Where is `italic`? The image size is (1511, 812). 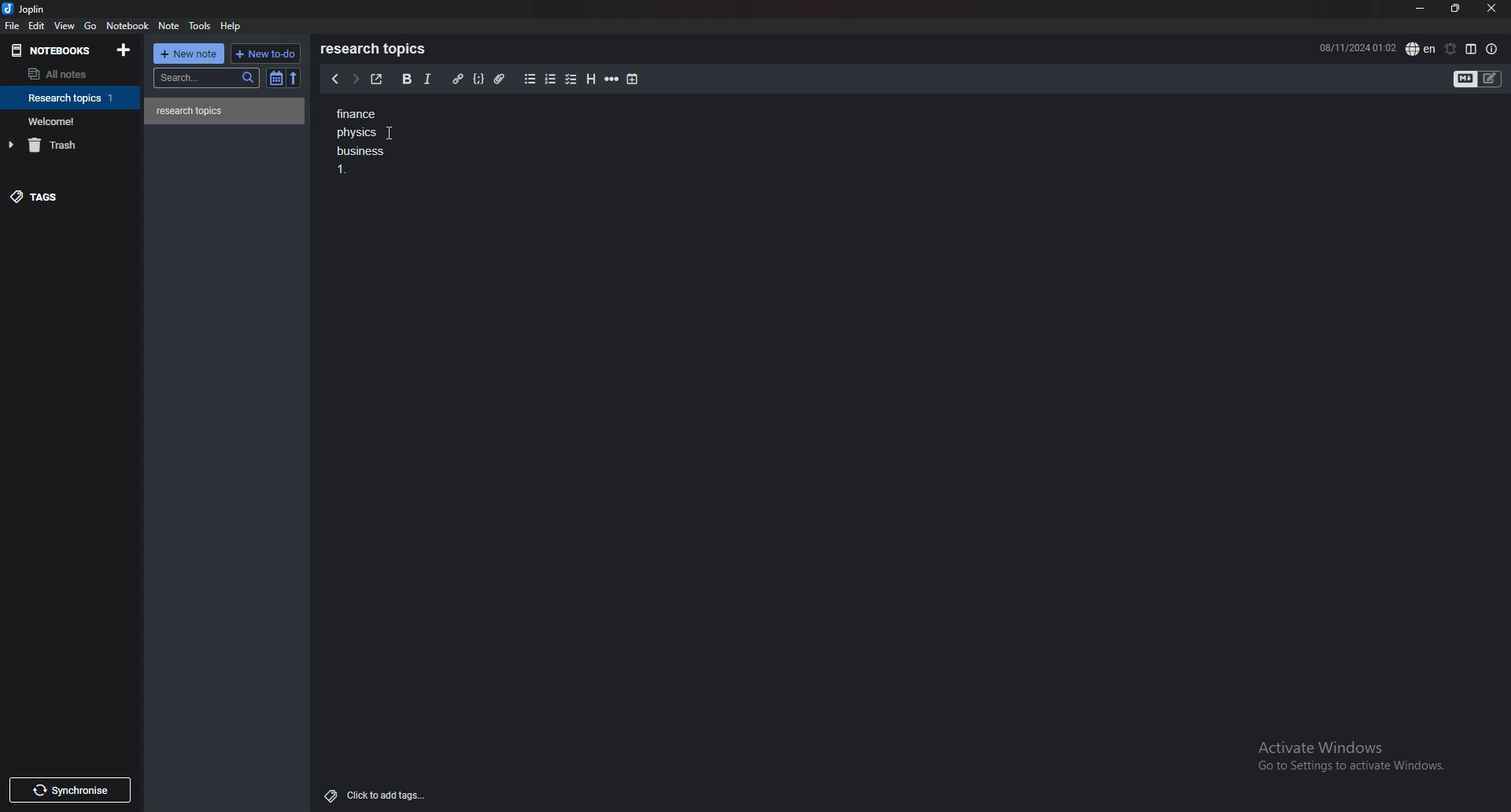 italic is located at coordinates (427, 79).